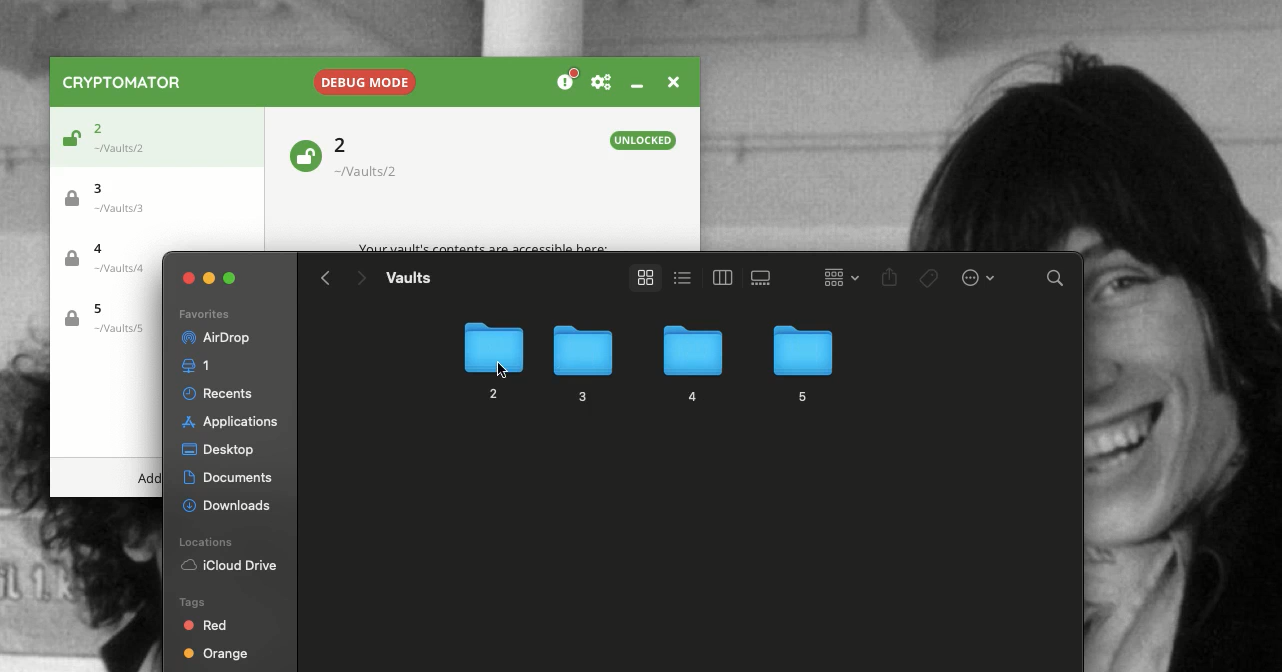 The height and width of the screenshot is (672, 1282). I want to click on Grid view, so click(836, 276).